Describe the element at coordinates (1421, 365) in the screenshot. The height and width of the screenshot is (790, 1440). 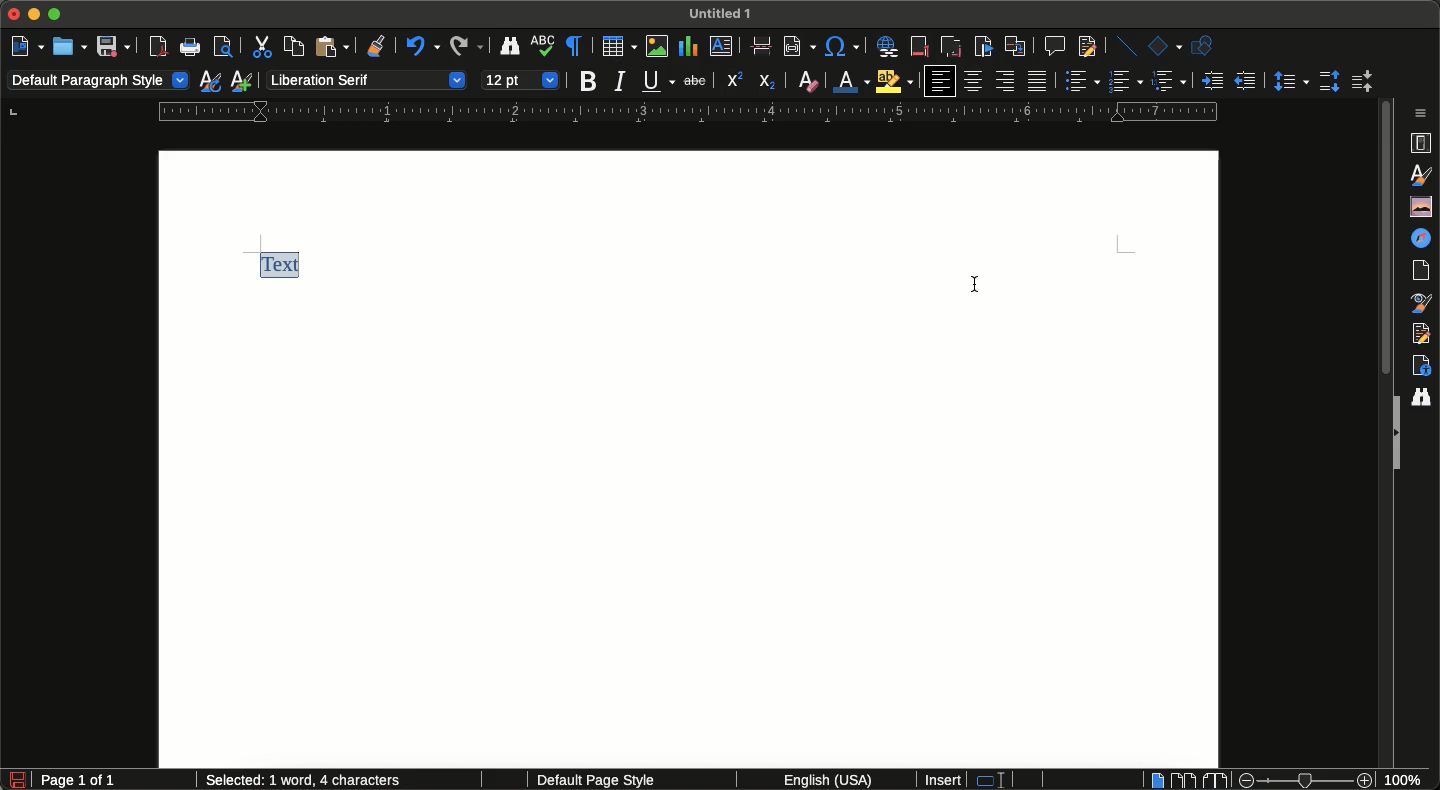
I see `Accessibility check` at that location.